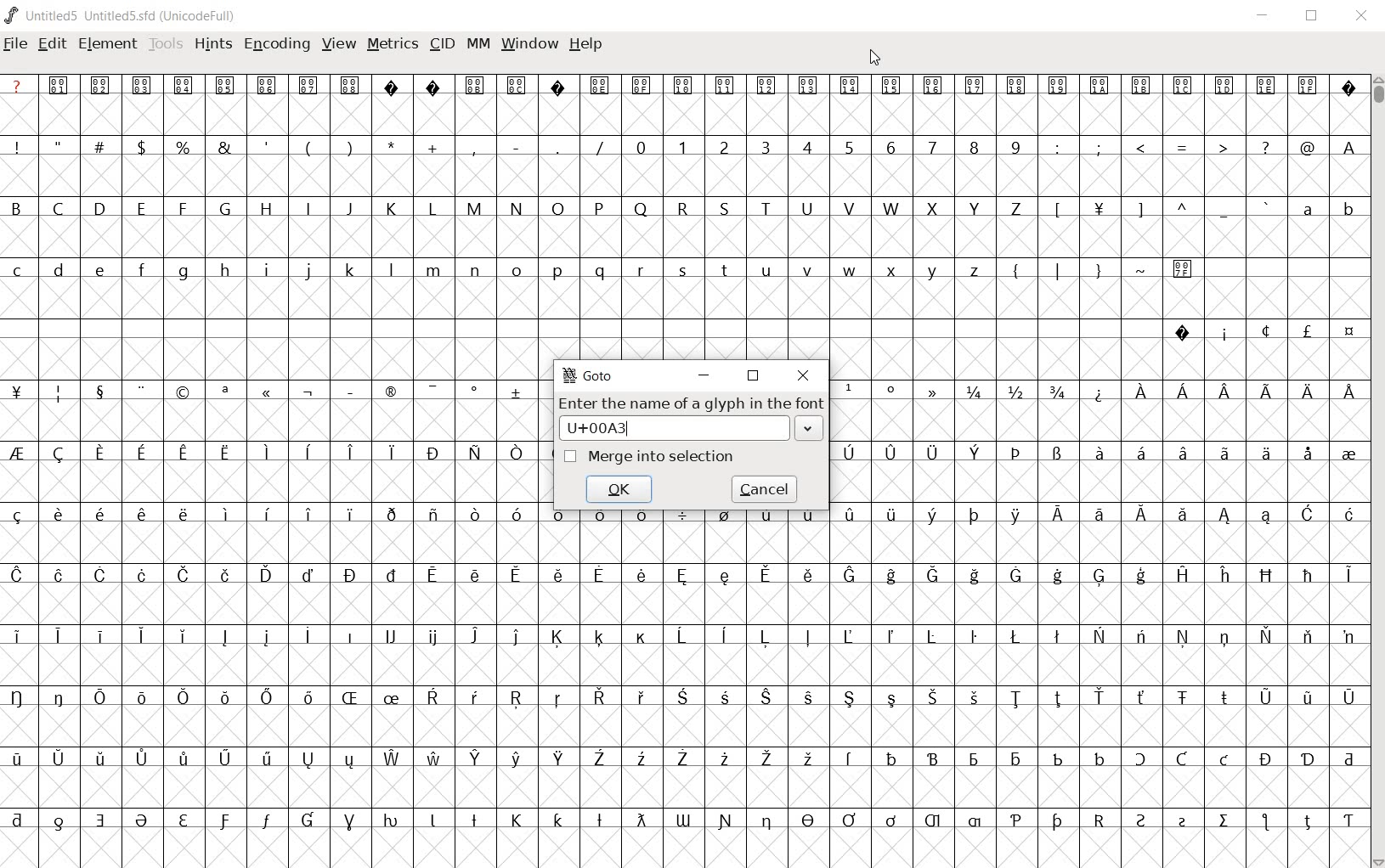  I want to click on Symbol, so click(1307, 334).